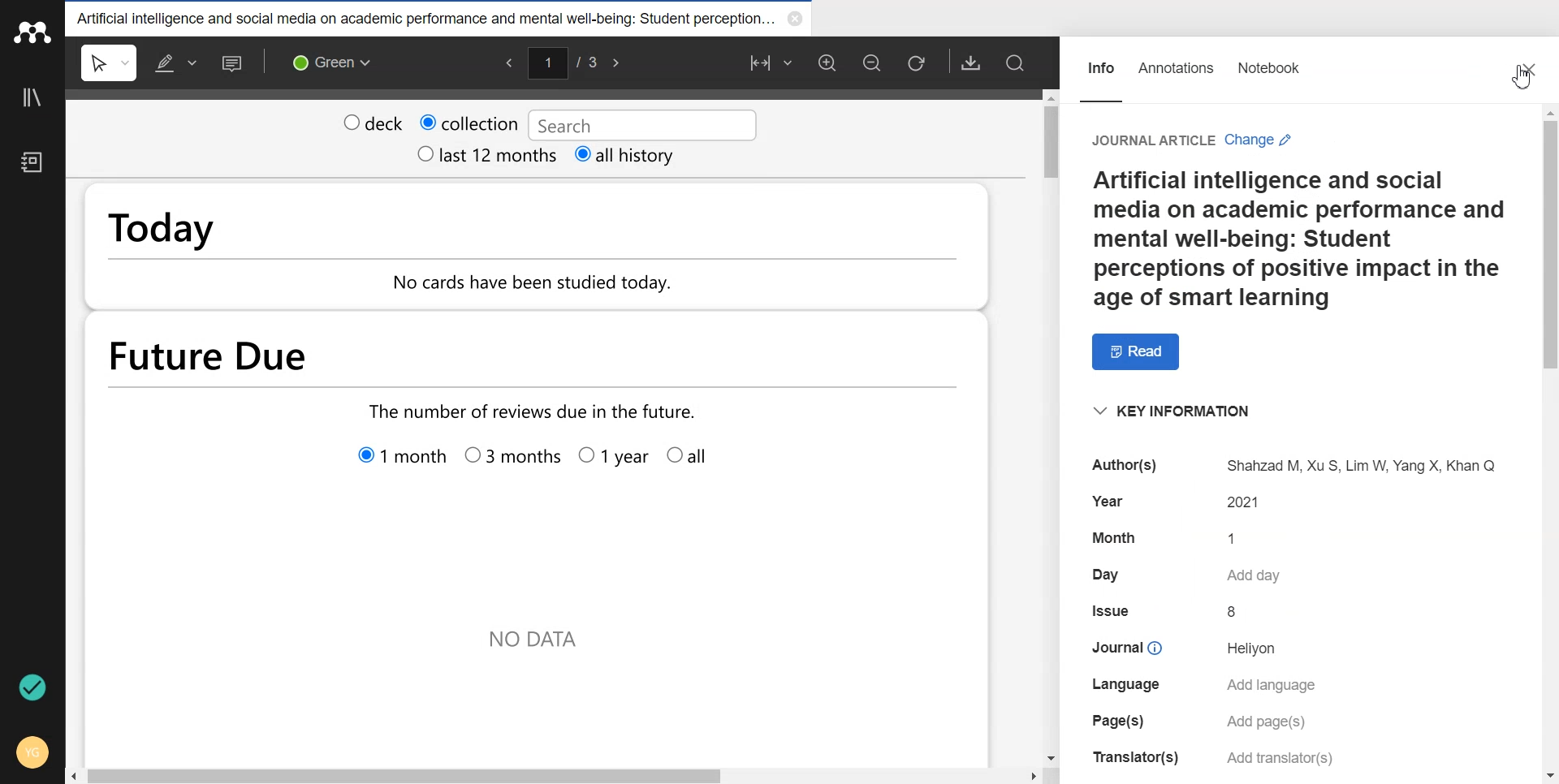  Describe the element at coordinates (443, 355) in the screenshot. I see `Future due` at that location.